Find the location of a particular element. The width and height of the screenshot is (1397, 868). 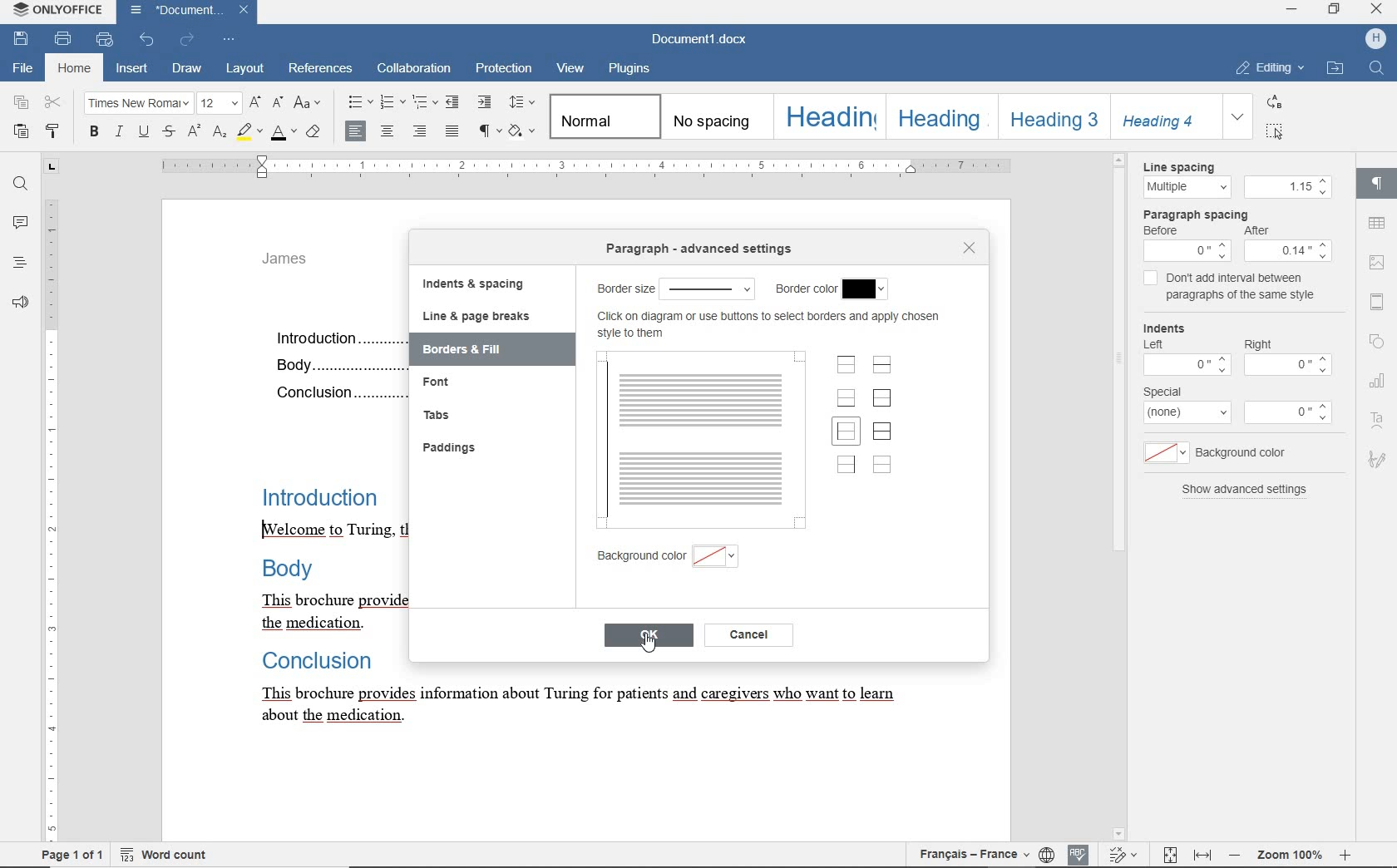

set bottom order only is located at coordinates (847, 400).